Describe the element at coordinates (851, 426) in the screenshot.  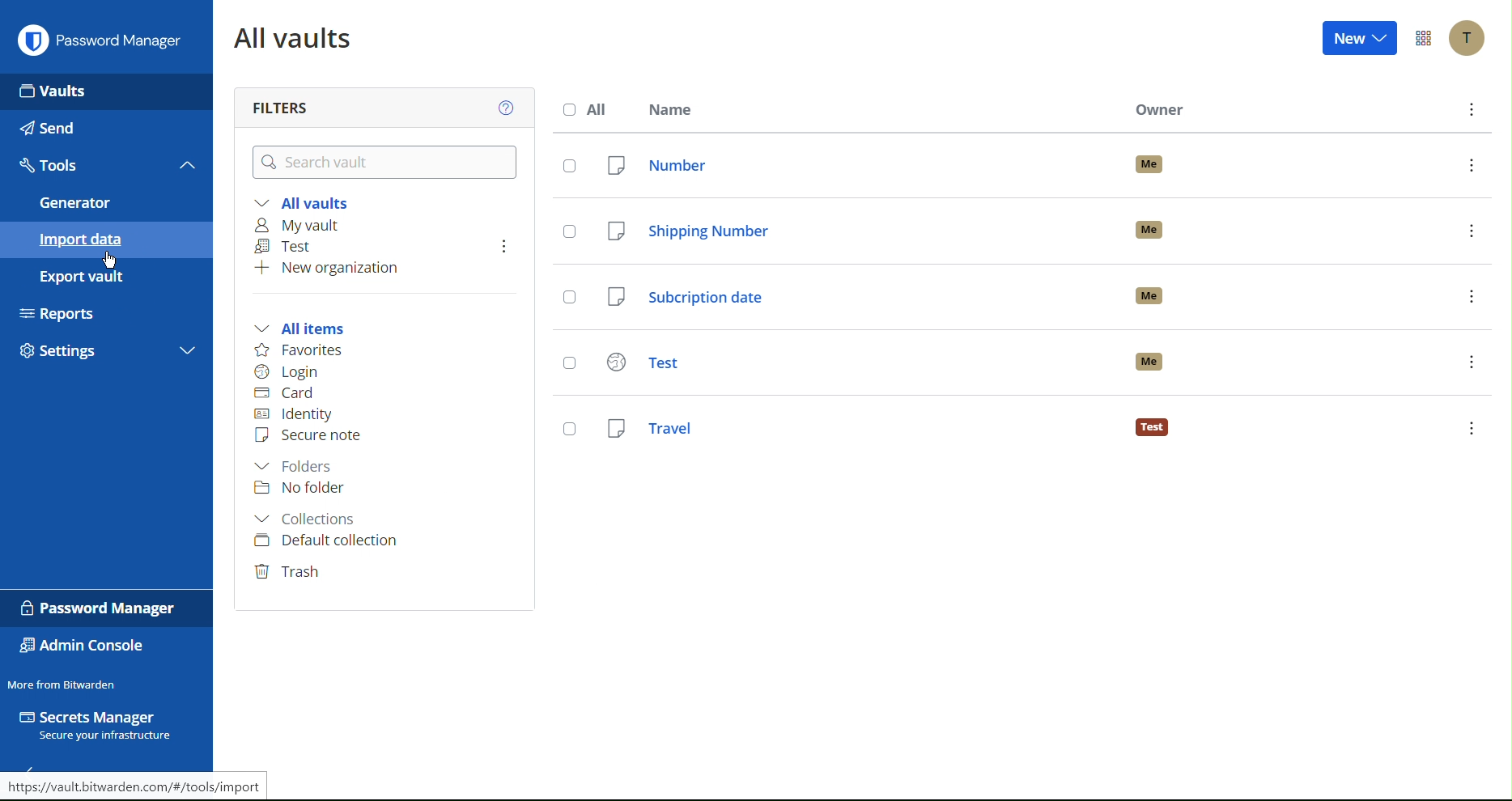
I see `travel` at that location.